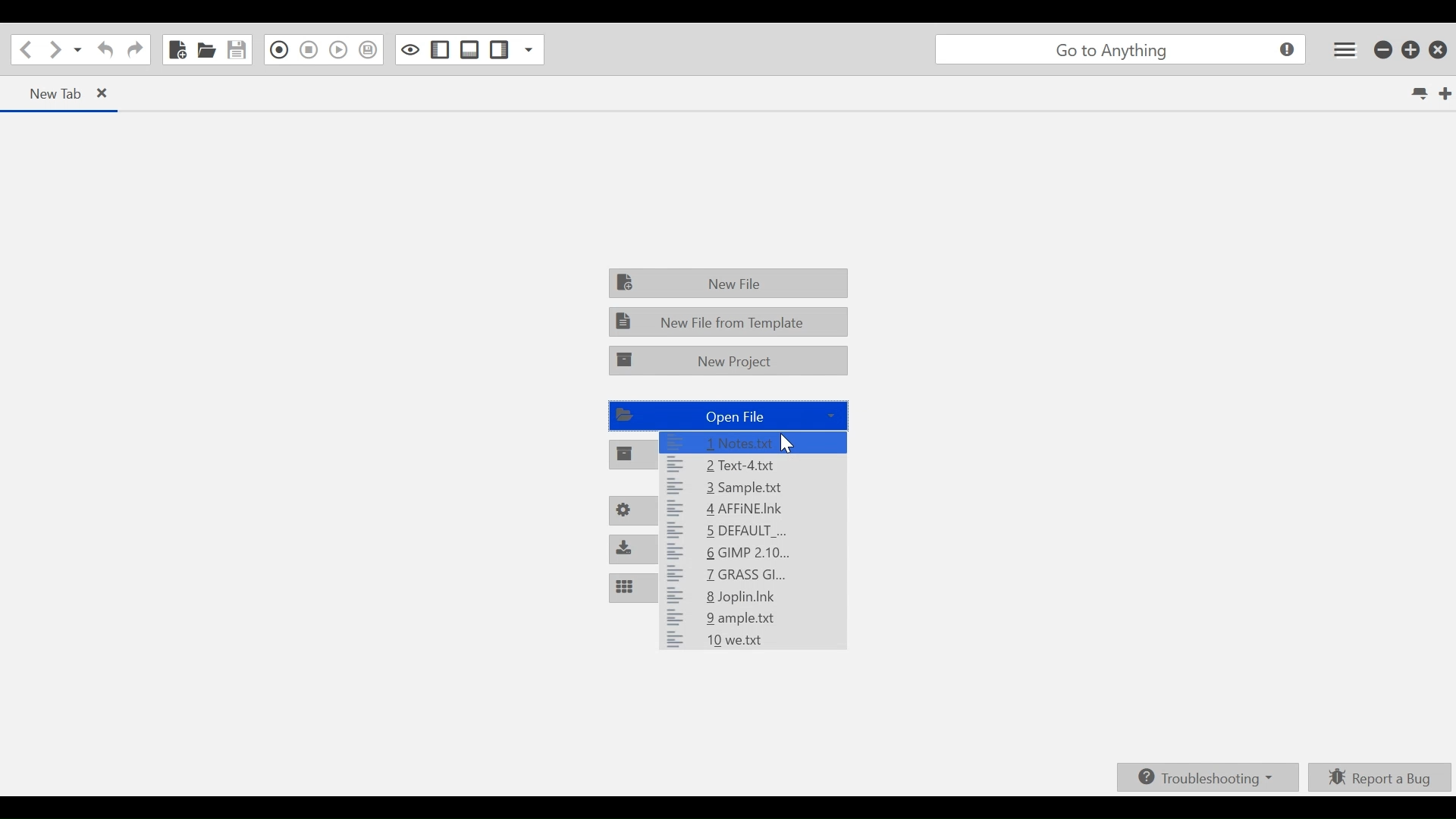  Describe the element at coordinates (78, 49) in the screenshot. I see `Recent LOcations` at that location.